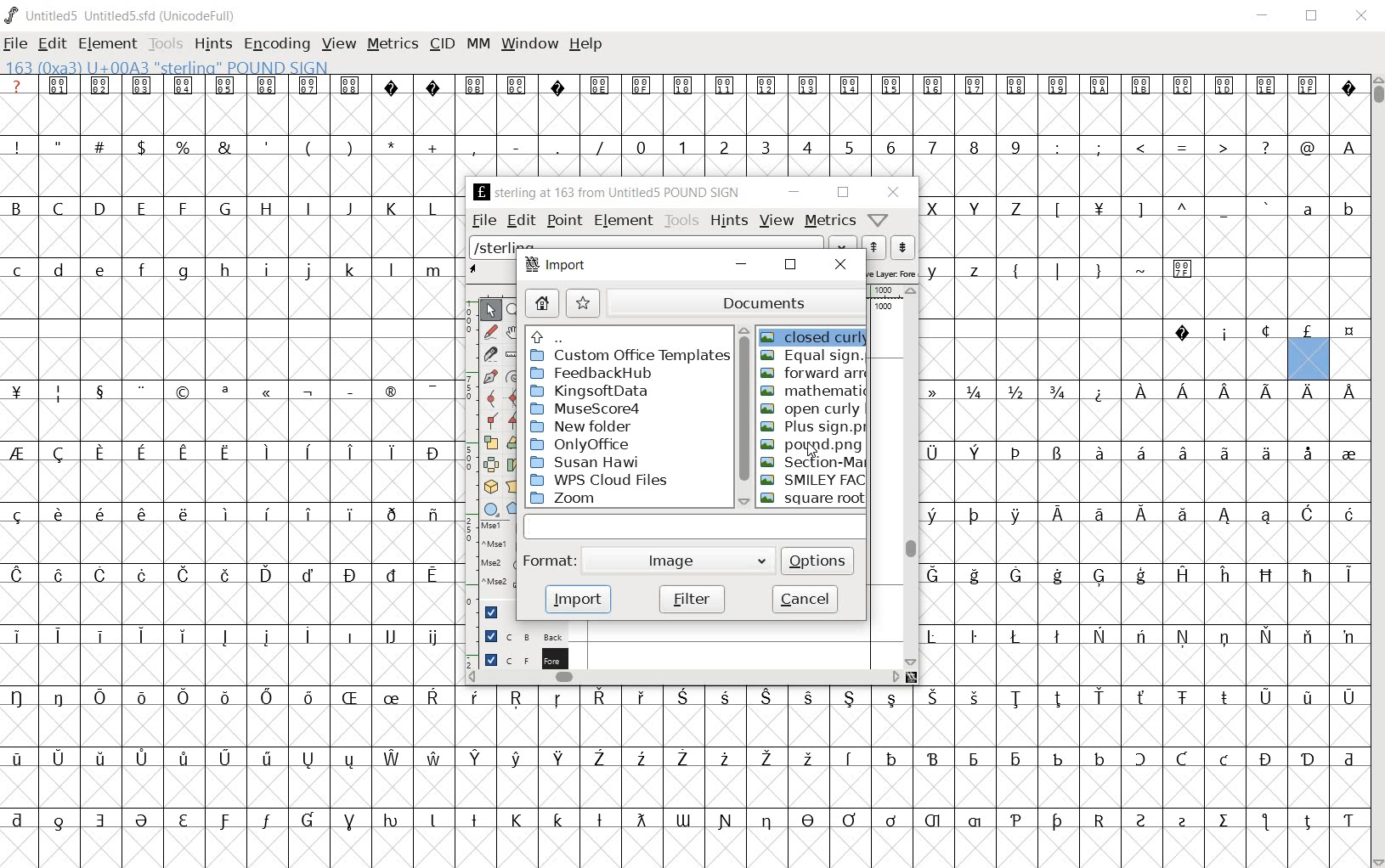 This screenshot has width=1385, height=868. Describe the element at coordinates (1141, 268) in the screenshot. I see `~` at that location.